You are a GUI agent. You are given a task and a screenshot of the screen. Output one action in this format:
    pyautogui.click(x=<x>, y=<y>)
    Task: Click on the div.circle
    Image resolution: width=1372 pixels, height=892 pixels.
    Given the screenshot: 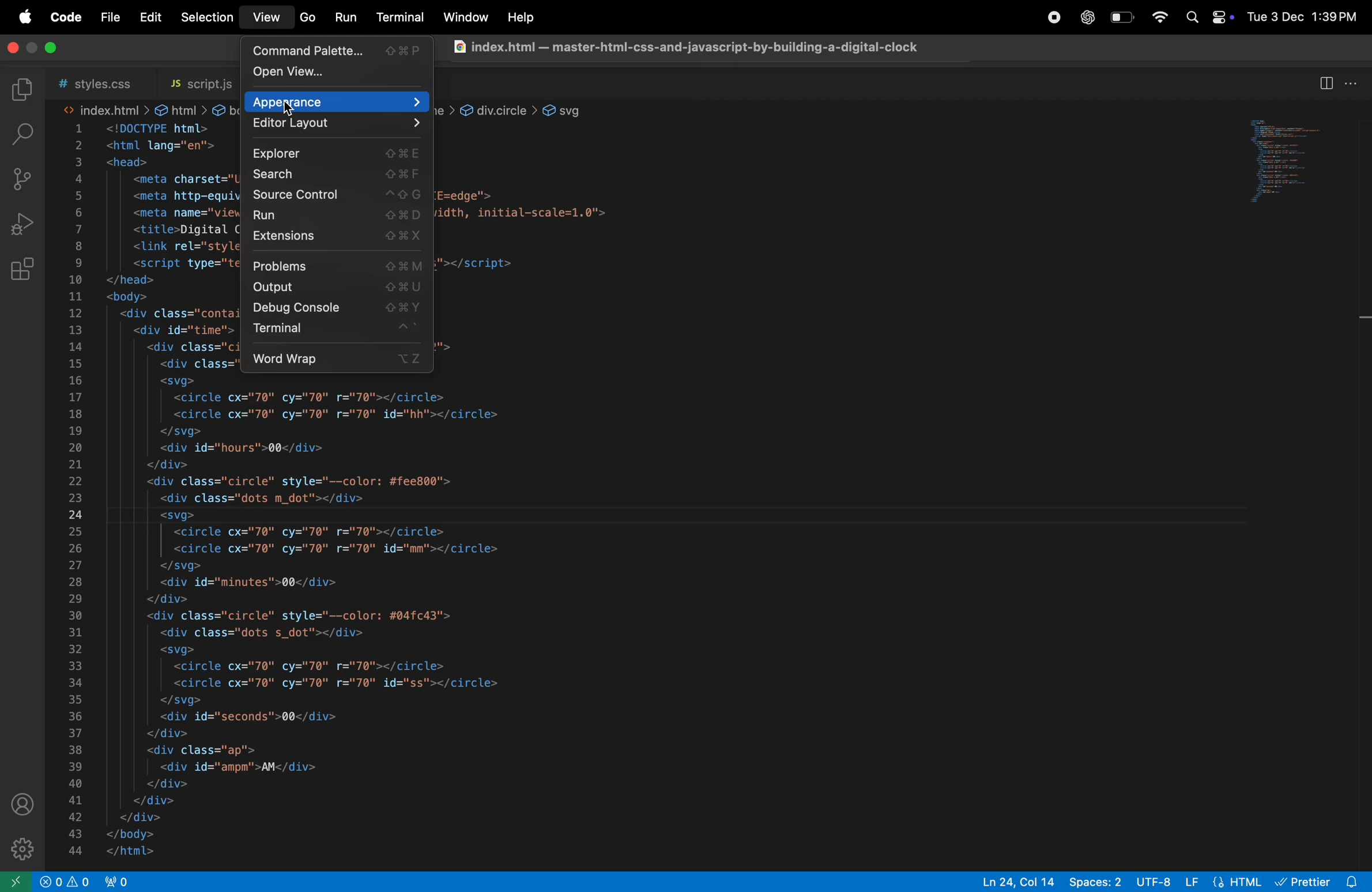 What is the action you would take?
    pyautogui.click(x=499, y=113)
    